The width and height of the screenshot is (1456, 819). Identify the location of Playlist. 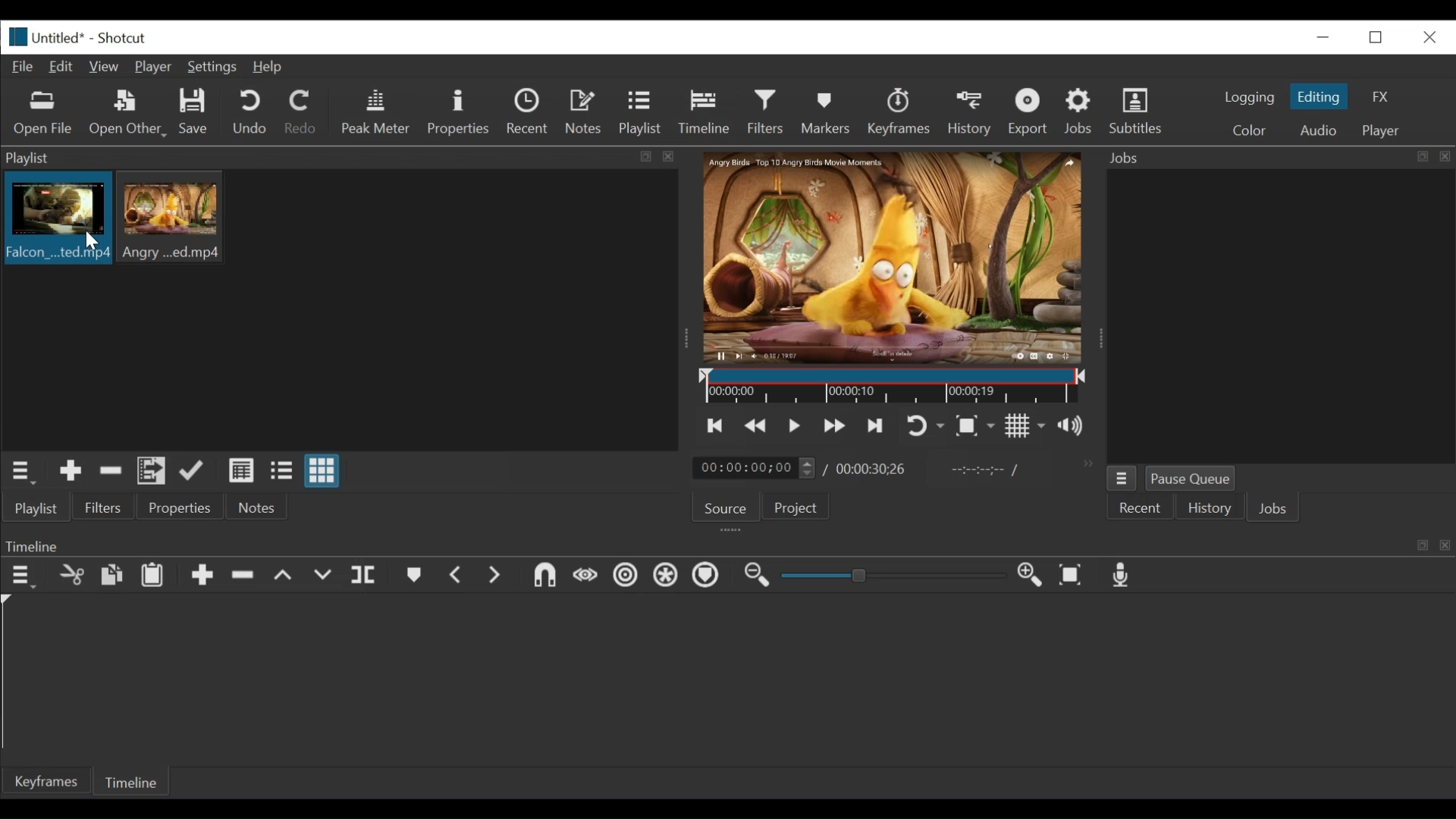
(641, 114).